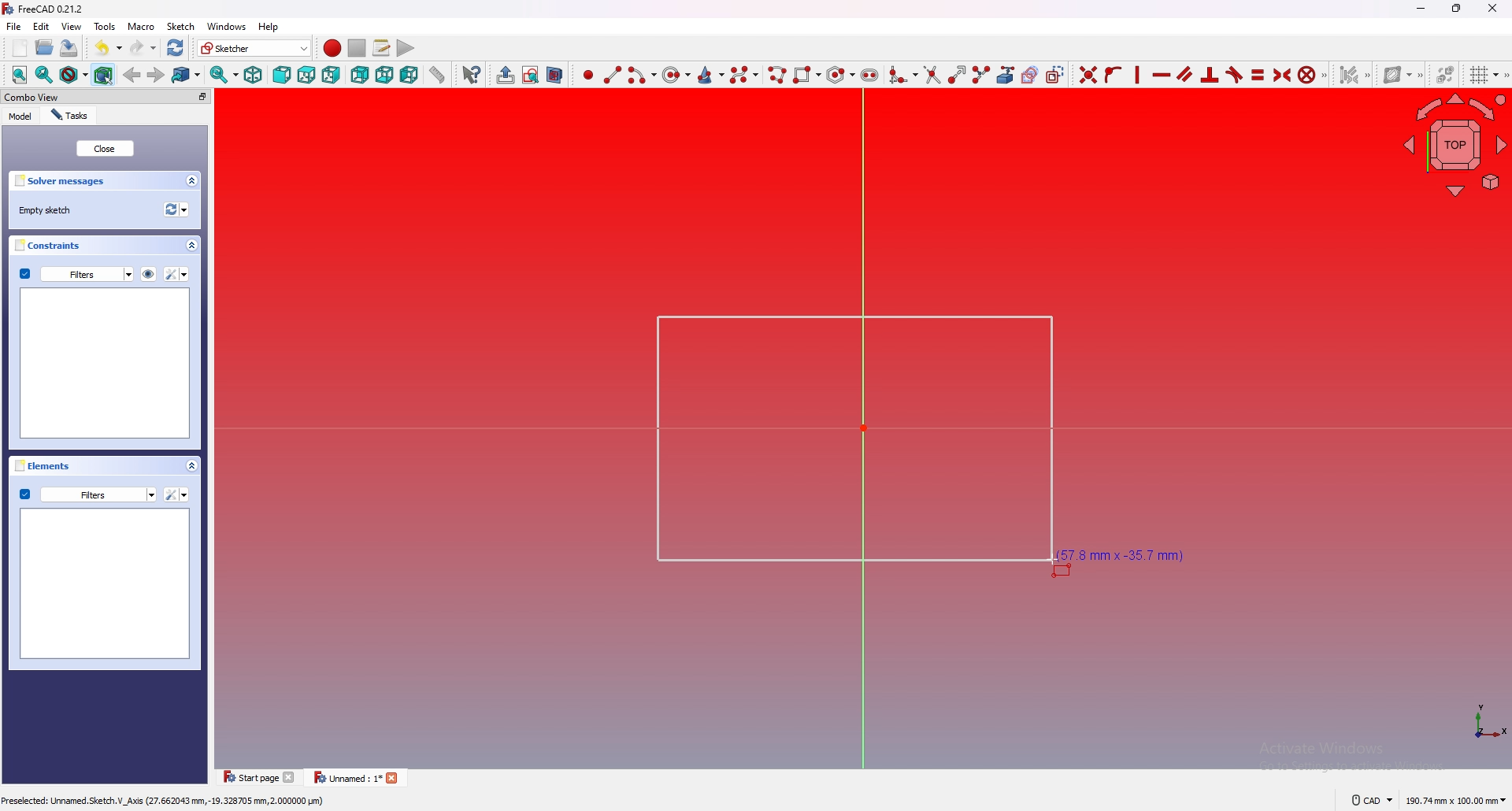  What do you see at coordinates (31, 96) in the screenshot?
I see `combo view` at bounding box center [31, 96].